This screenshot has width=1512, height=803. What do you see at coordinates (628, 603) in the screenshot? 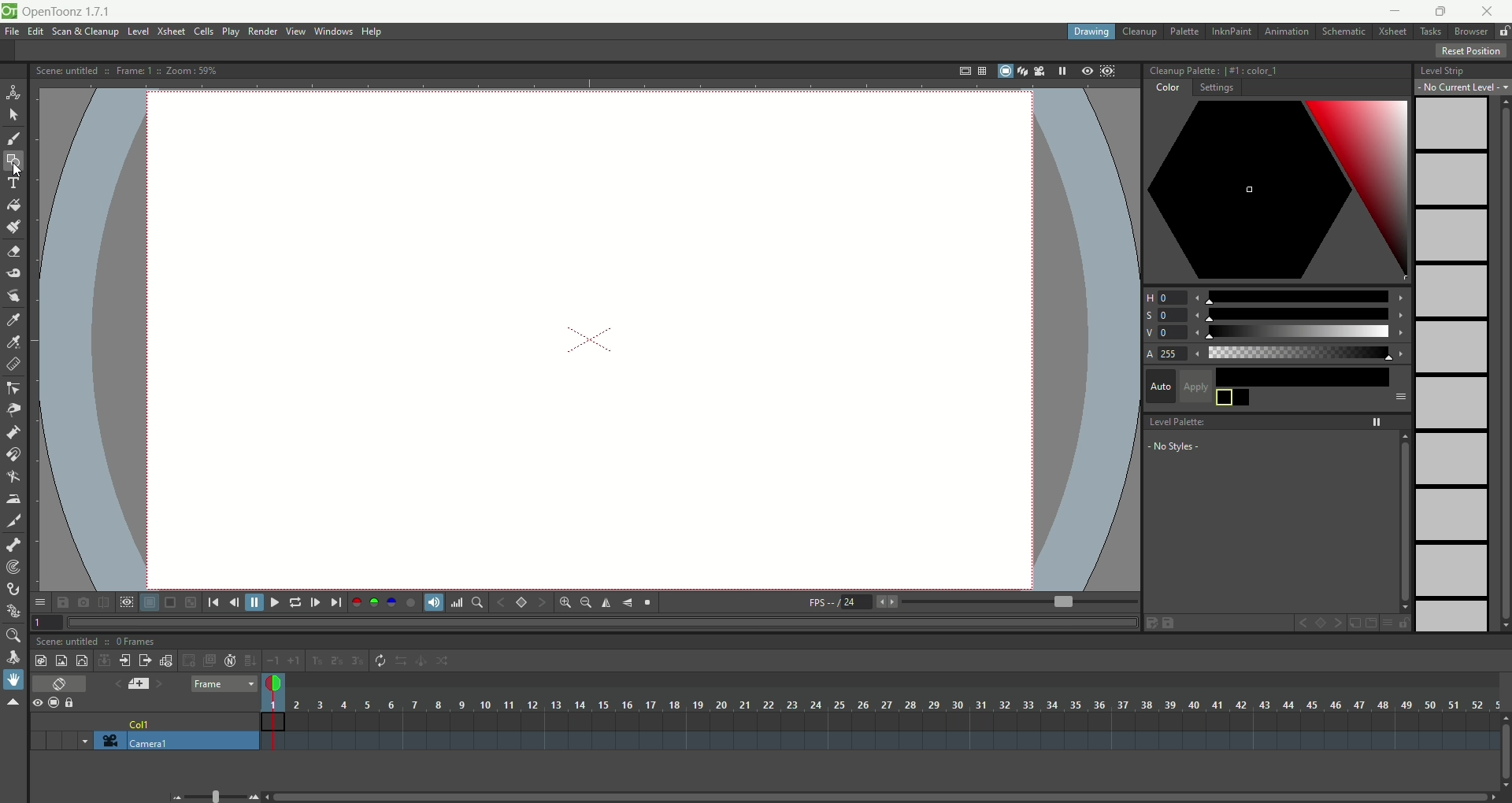
I see `flip vertically` at bounding box center [628, 603].